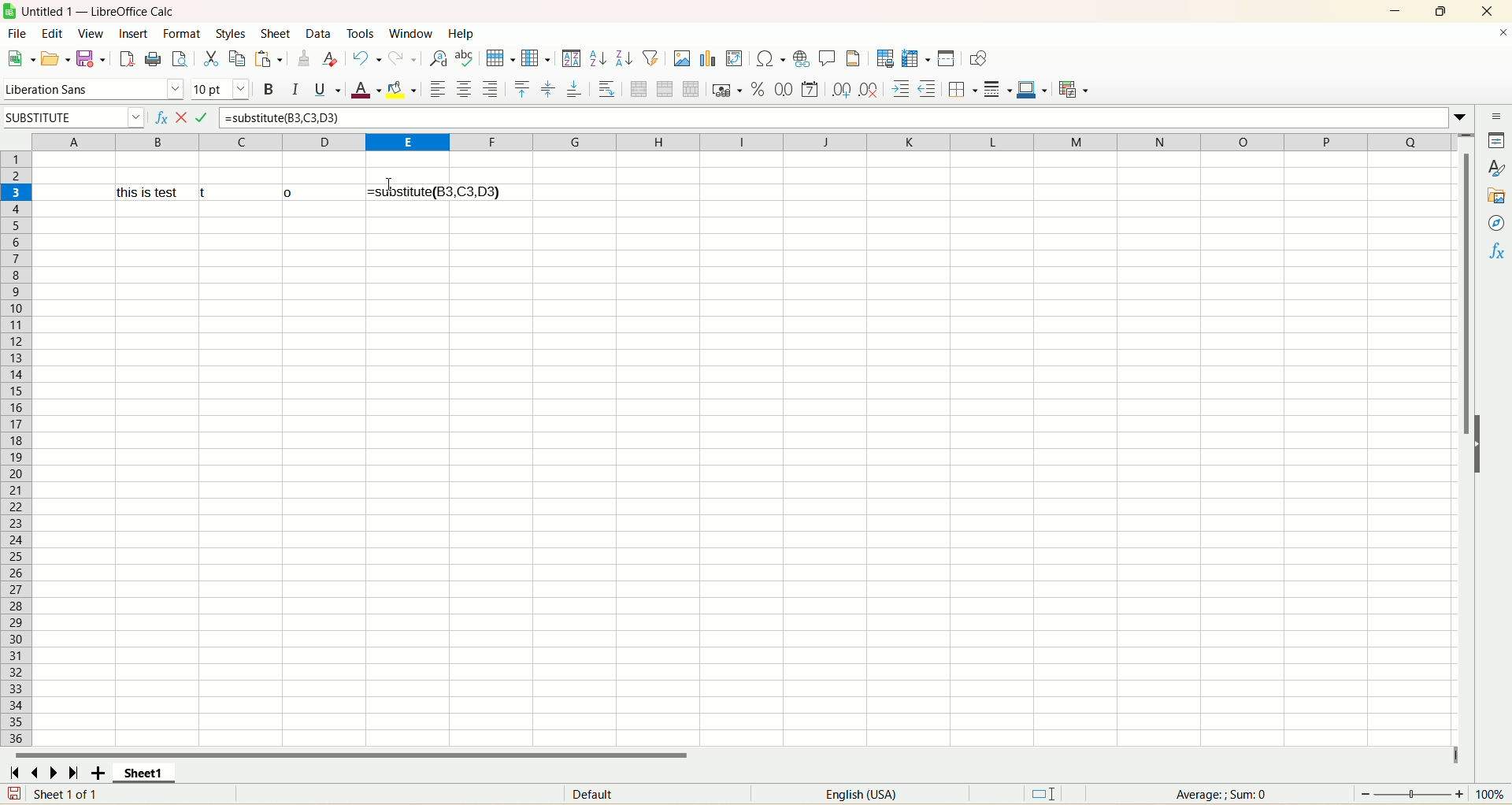  What do you see at coordinates (20, 35) in the screenshot?
I see `file` at bounding box center [20, 35].